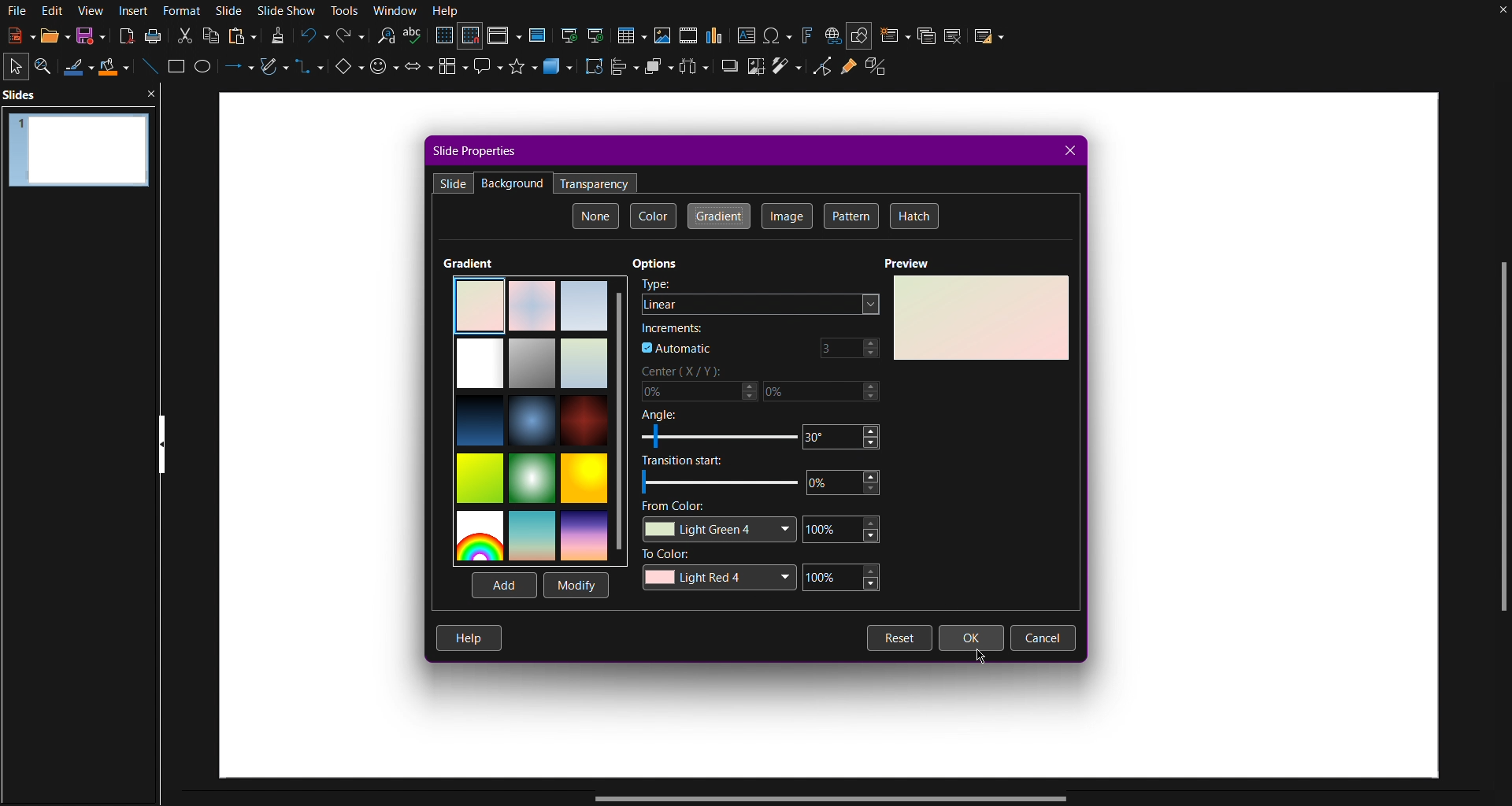  Describe the element at coordinates (696, 71) in the screenshot. I see `Distribute Objects` at that location.